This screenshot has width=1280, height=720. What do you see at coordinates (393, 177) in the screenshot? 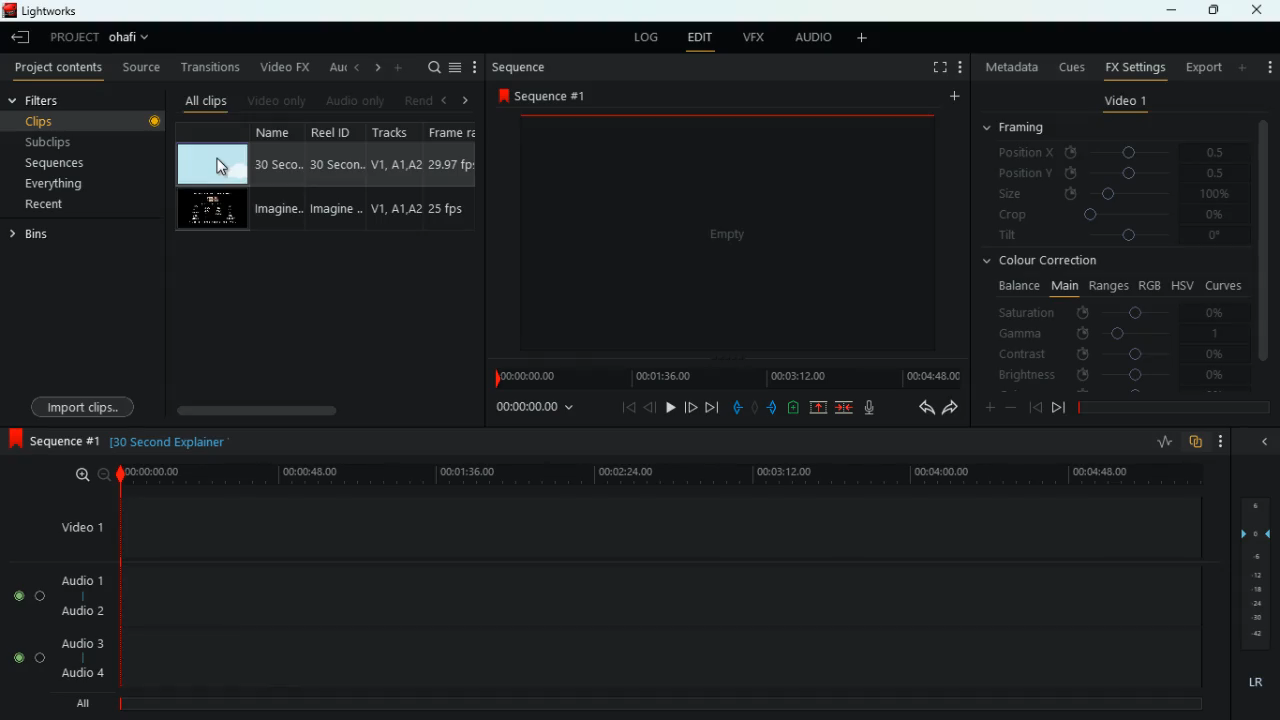
I see `tracks` at bounding box center [393, 177].